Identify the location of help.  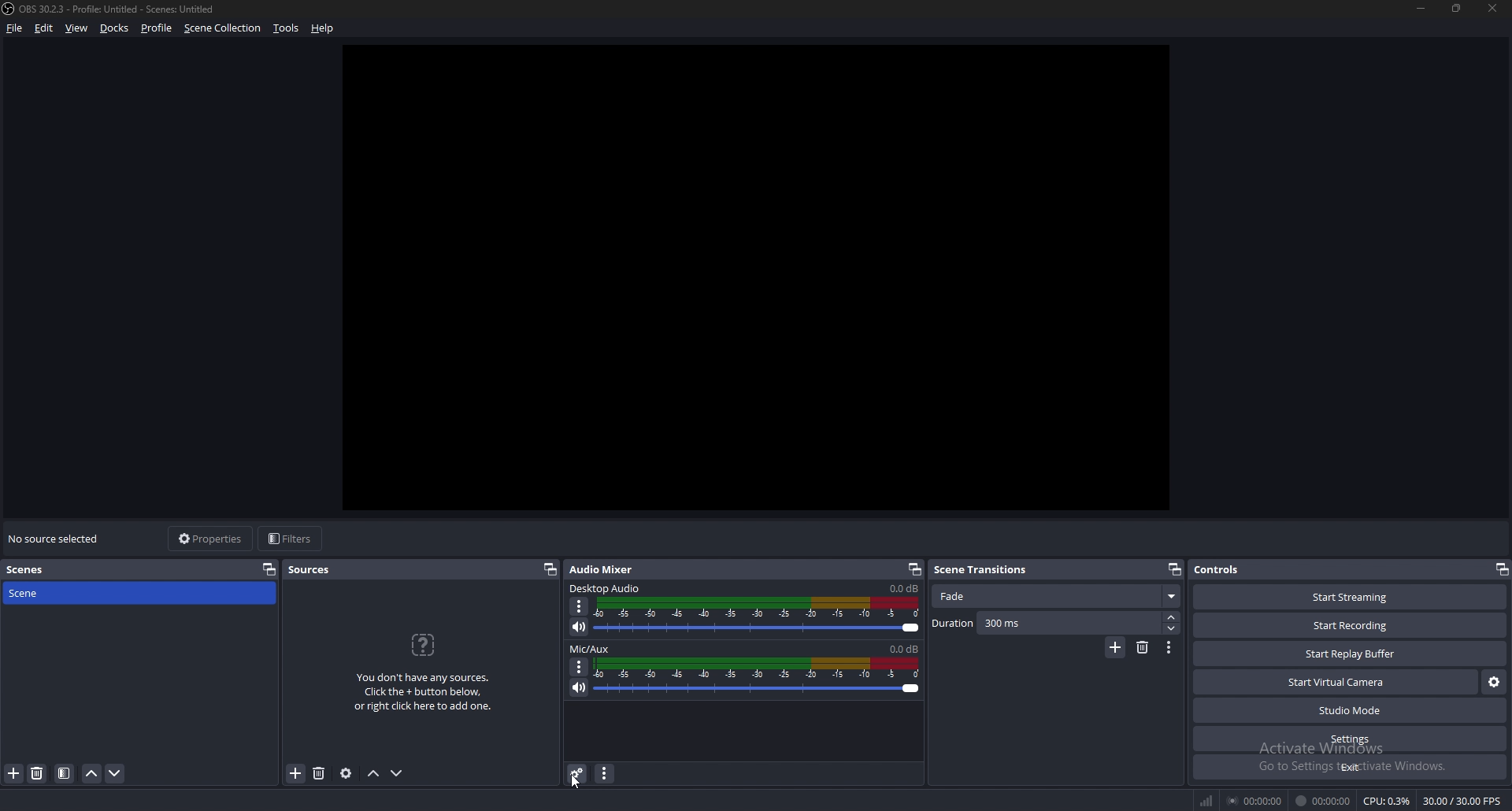
(323, 28).